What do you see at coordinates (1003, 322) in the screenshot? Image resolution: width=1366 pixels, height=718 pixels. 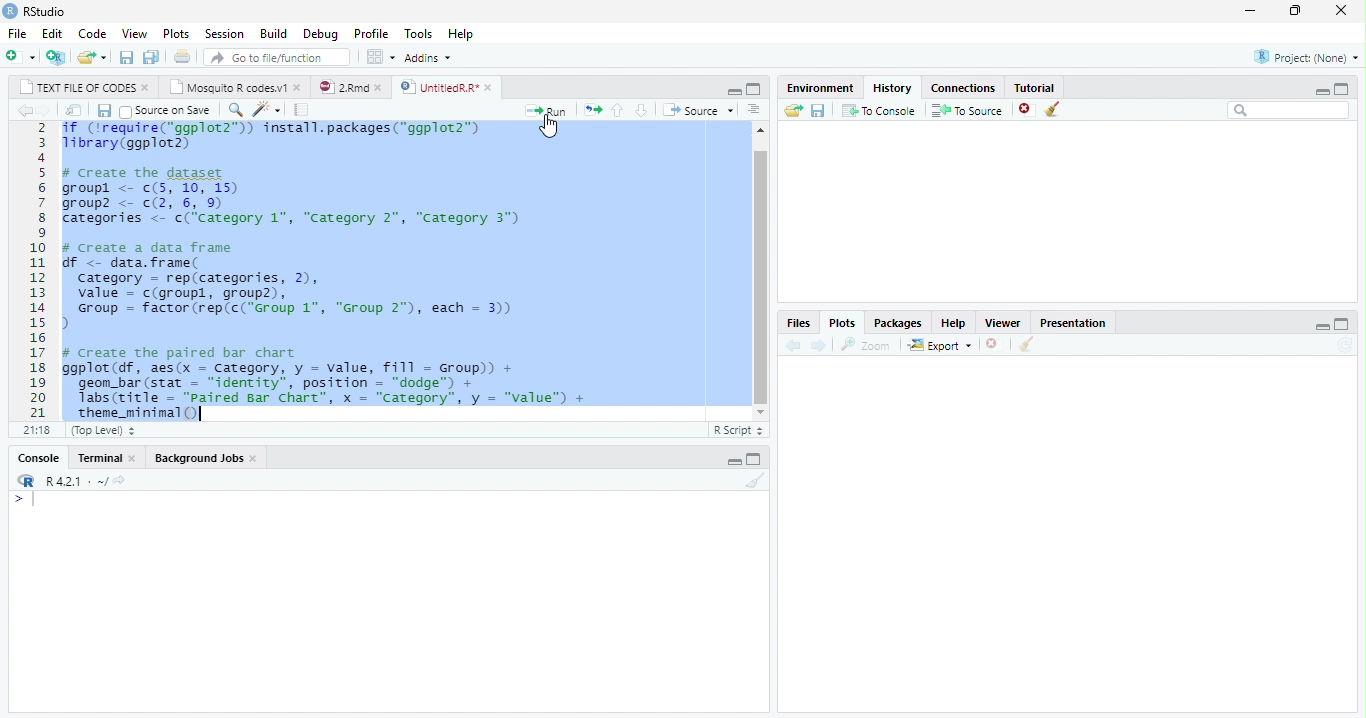 I see `viewer` at bounding box center [1003, 322].